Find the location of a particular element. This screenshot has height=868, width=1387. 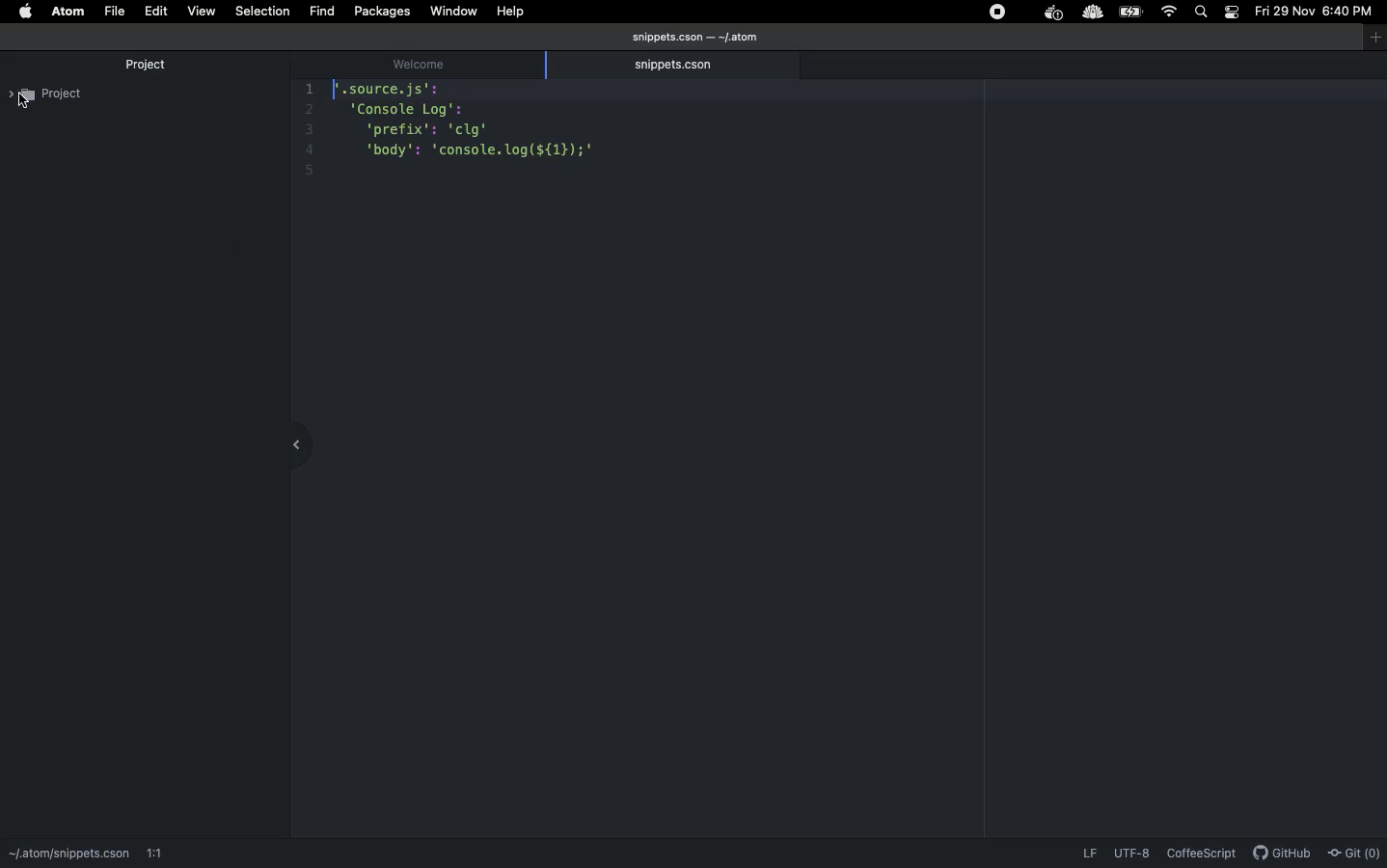

extension is located at coordinates (1052, 14).